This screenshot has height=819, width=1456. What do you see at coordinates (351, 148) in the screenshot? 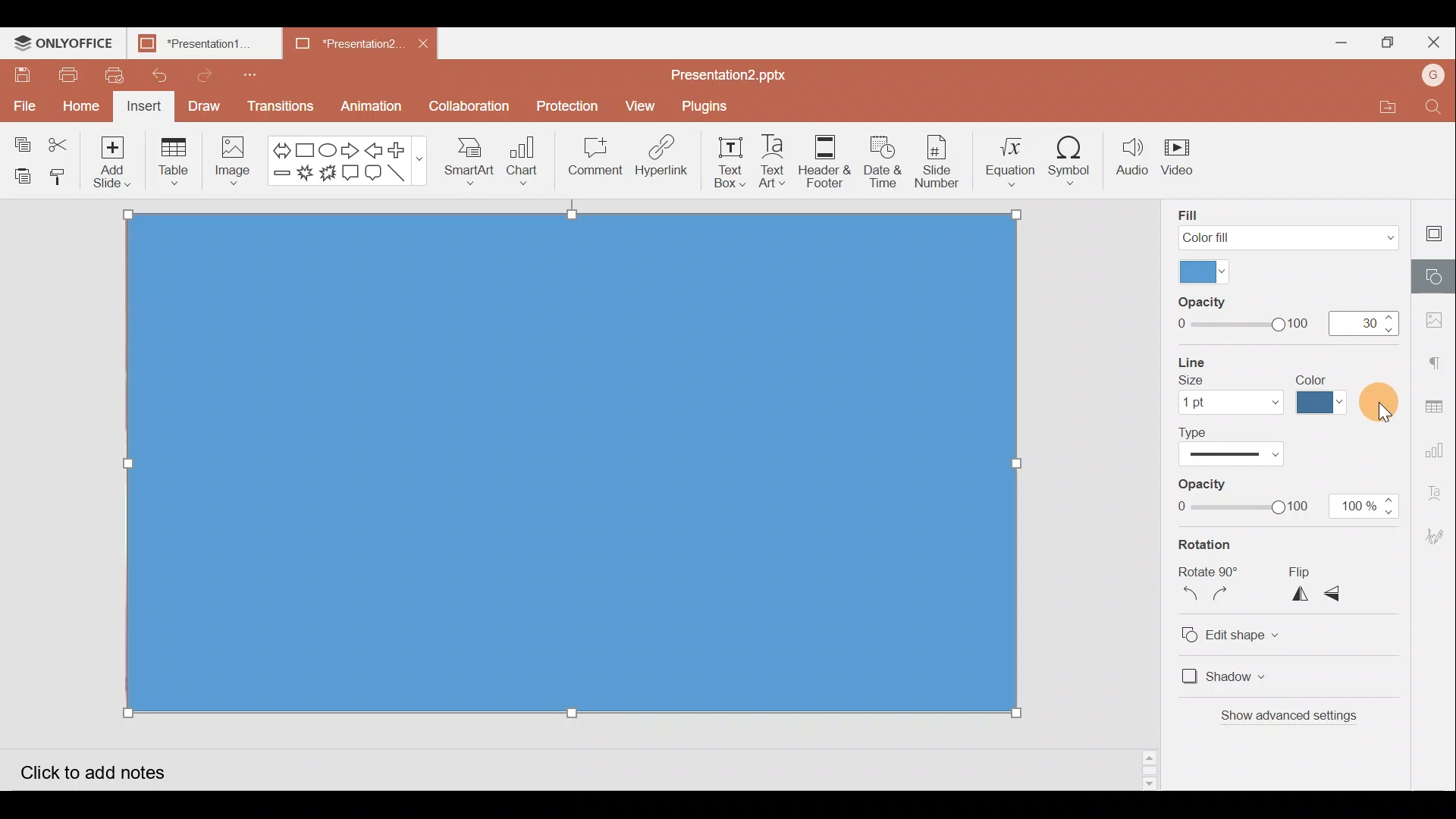
I see `Right arrow` at bounding box center [351, 148].